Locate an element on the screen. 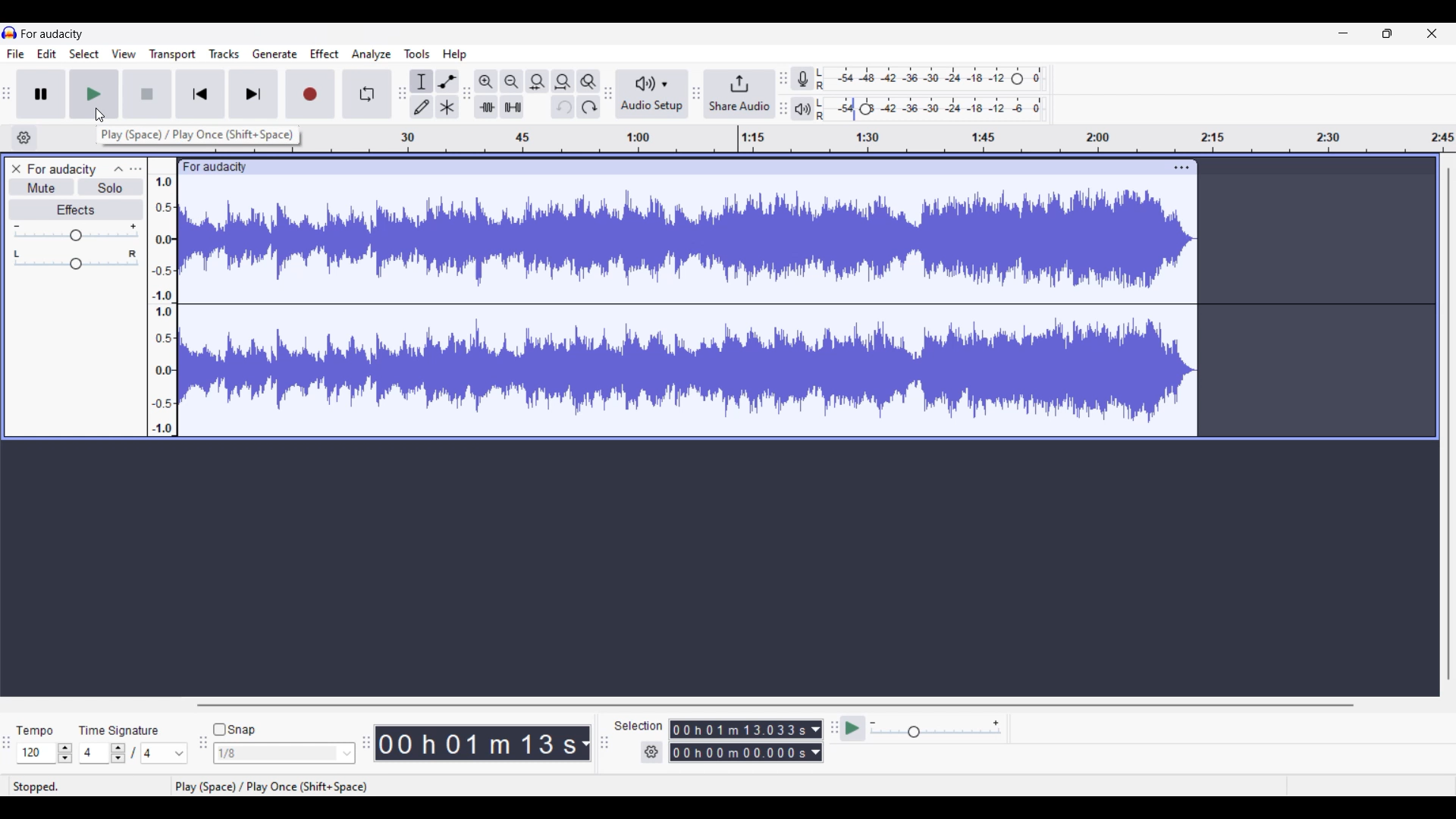 The height and width of the screenshot is (819, 1456). Track name is located at coordinates (62, 170).